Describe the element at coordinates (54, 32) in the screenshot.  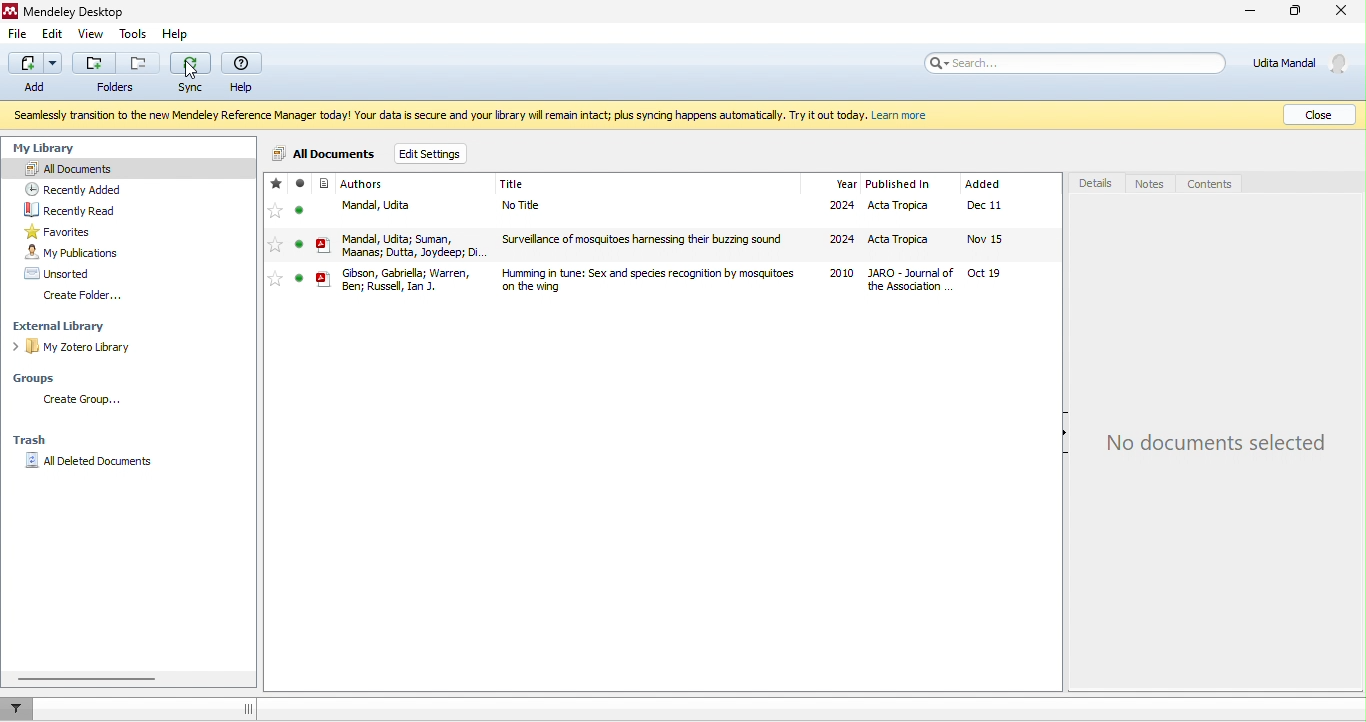
I see `edit` at that location.